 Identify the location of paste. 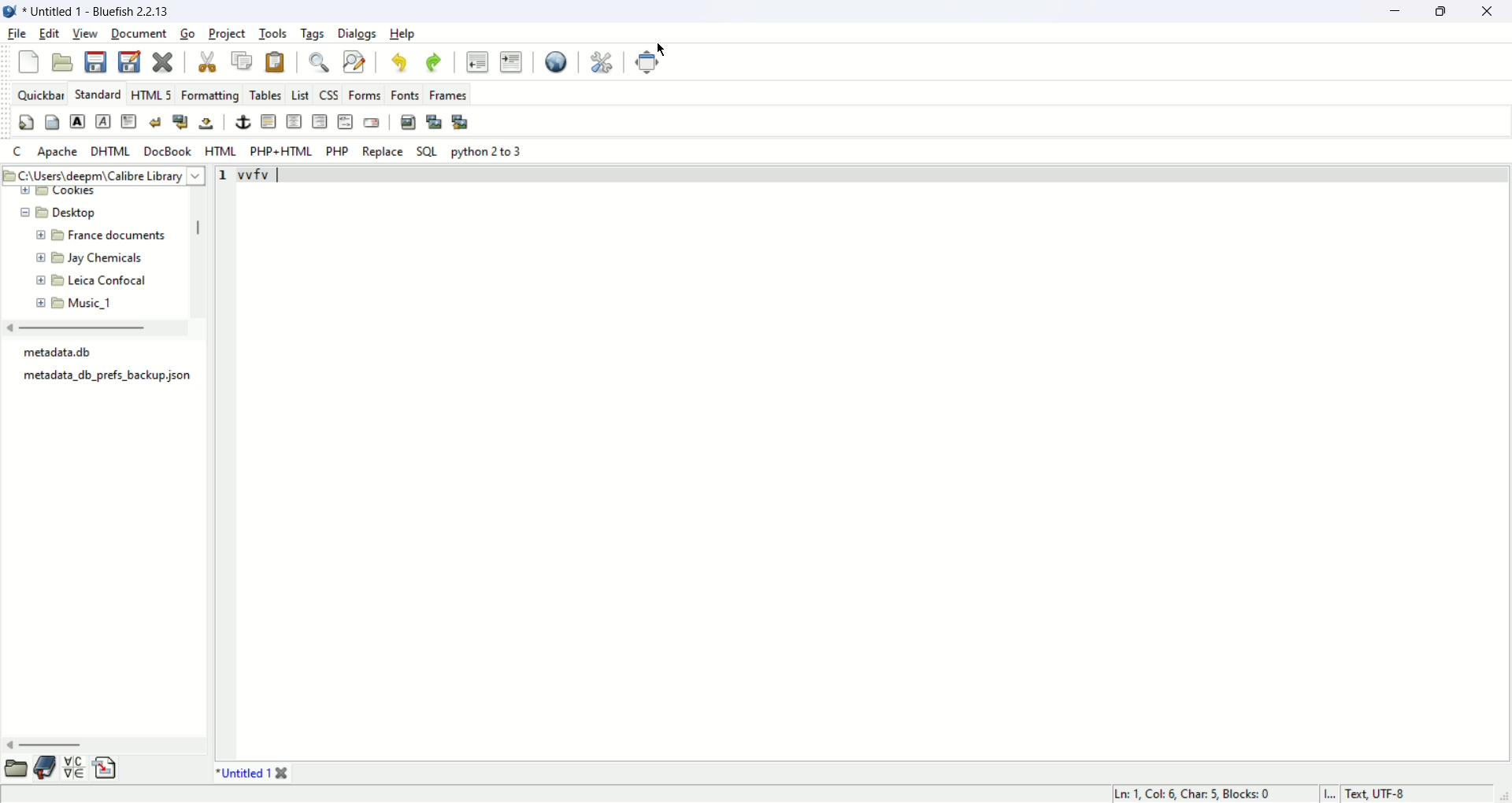
(278, 61).